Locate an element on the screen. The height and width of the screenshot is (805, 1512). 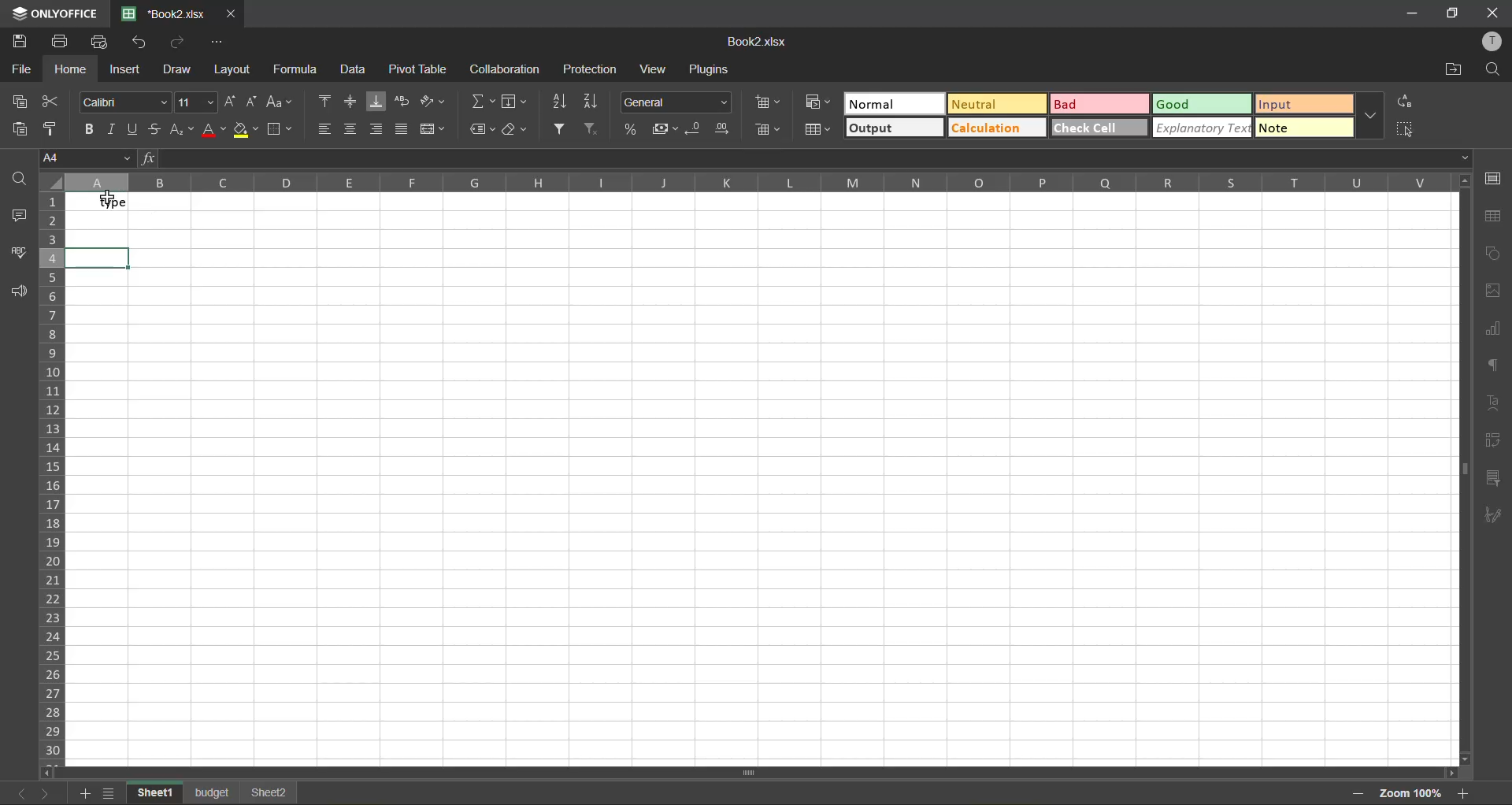
more options is located at coordinates (1373, 117).